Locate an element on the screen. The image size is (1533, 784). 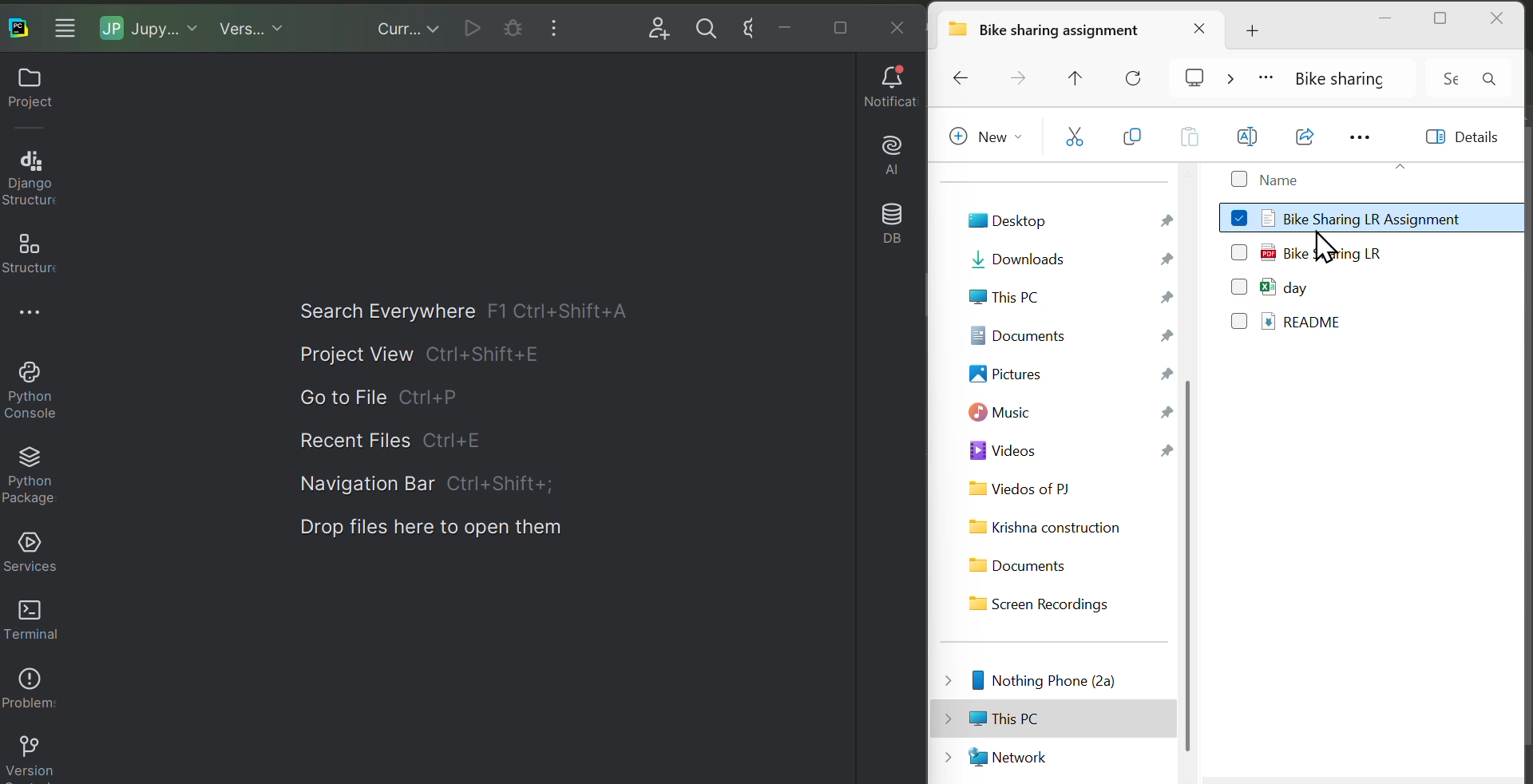
Current files is located at coordinates (405, 27).